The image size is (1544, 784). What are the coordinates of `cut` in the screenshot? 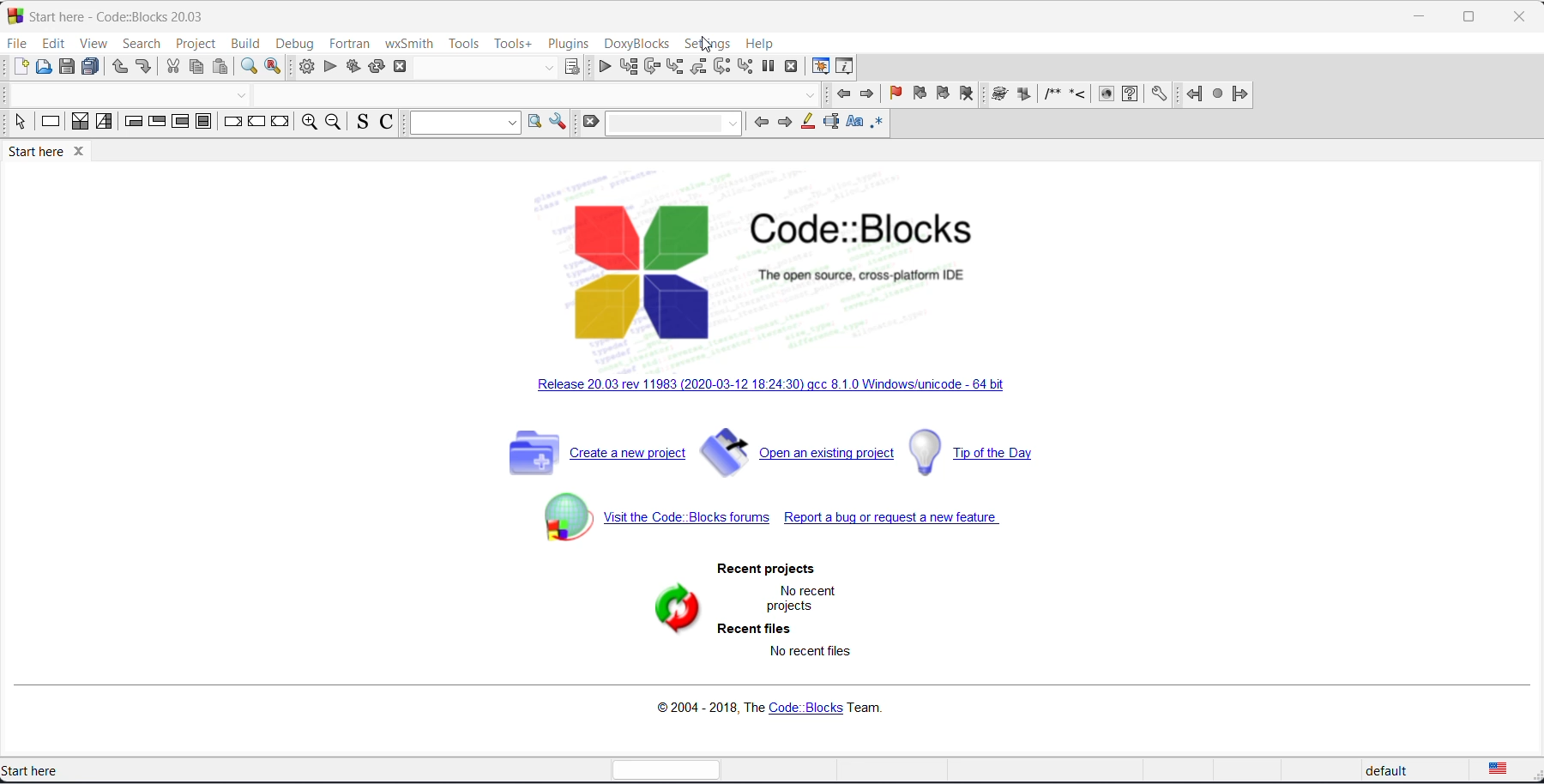 It's located at (174, 66).